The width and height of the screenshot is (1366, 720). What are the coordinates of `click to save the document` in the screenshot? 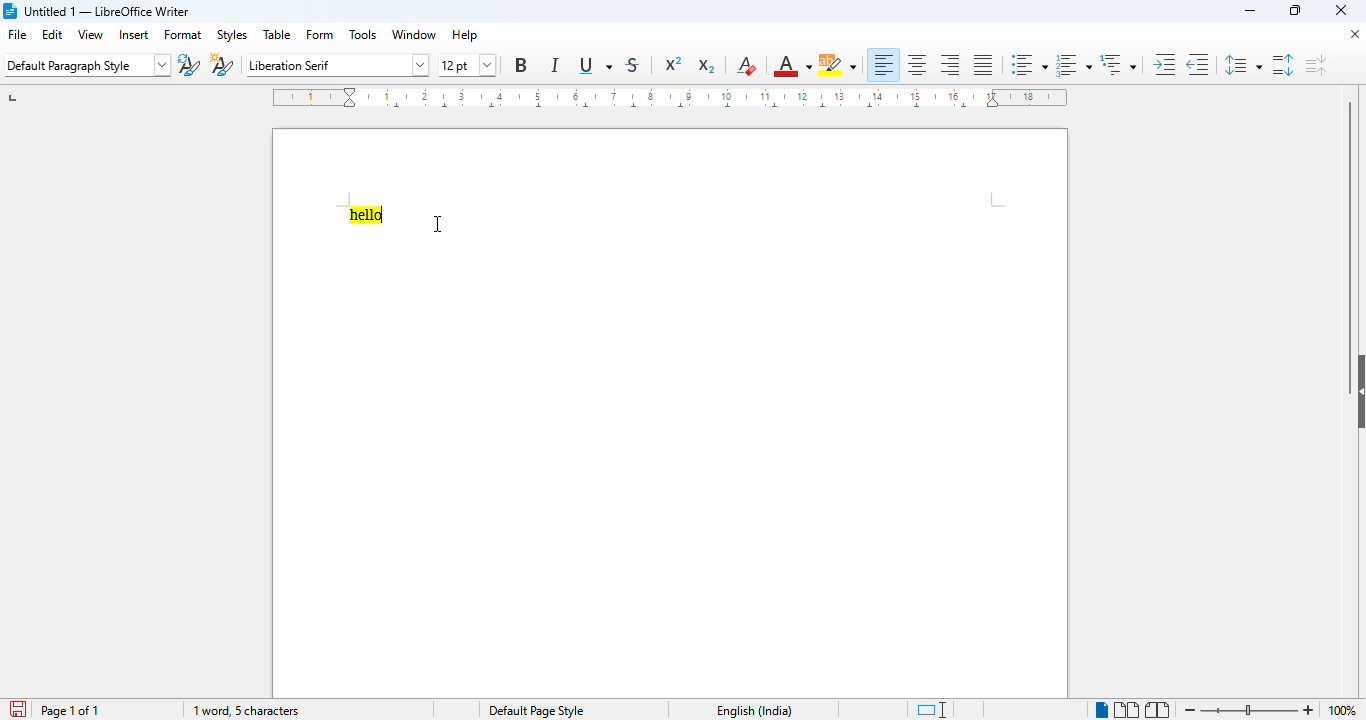 It's located at (19, 709).